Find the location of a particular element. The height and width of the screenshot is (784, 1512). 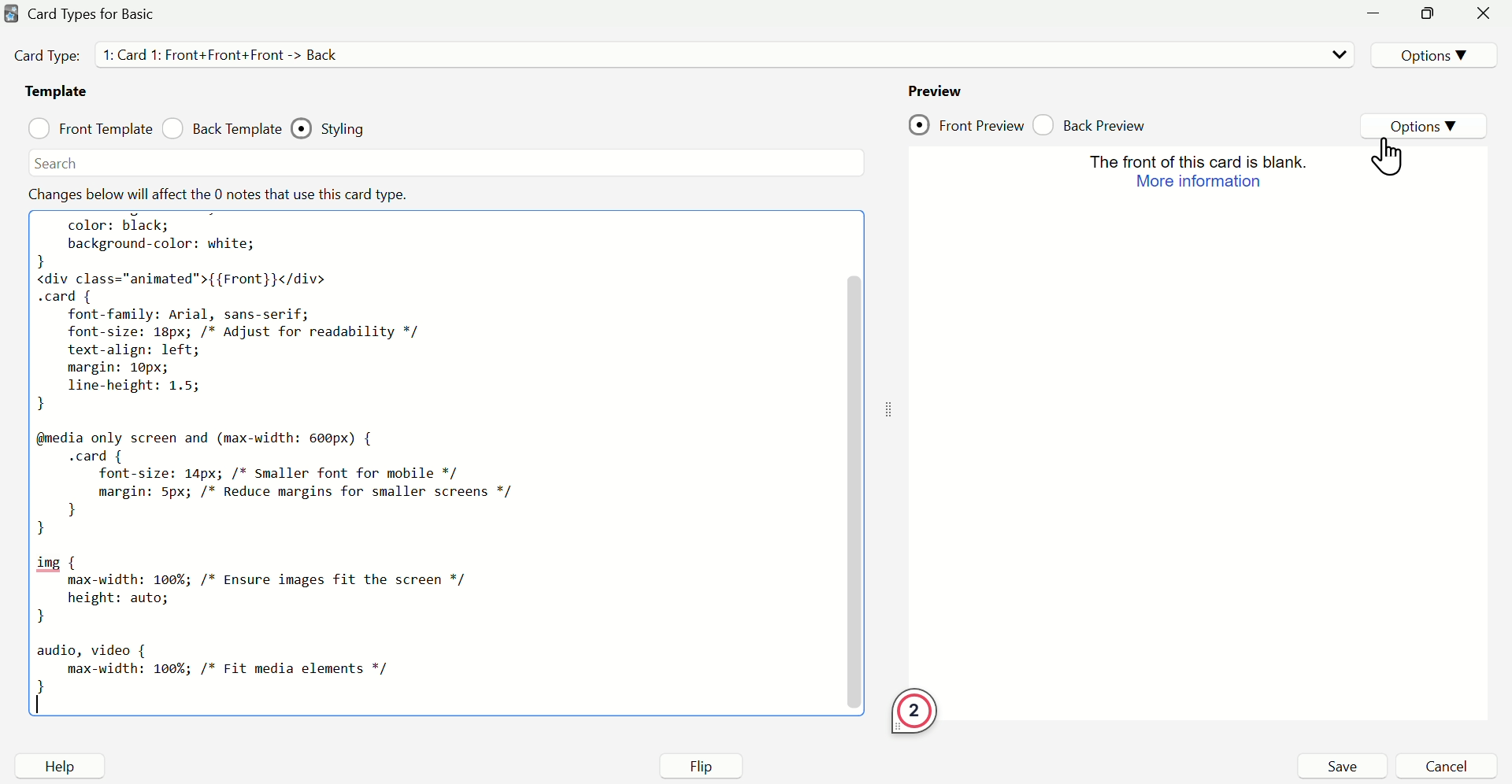

Preview is located at coordinates (1204, 435).